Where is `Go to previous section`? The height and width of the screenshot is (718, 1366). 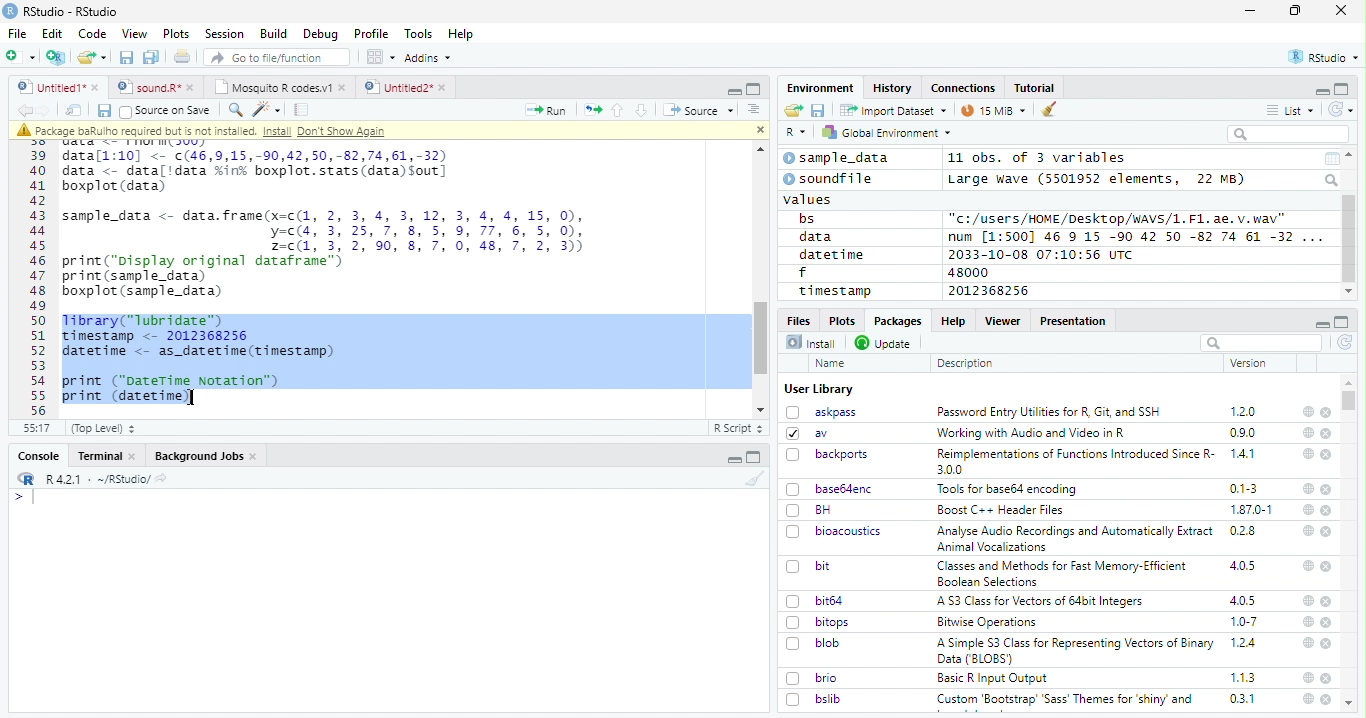
Go to previous section is located at coordinates (619, 110).